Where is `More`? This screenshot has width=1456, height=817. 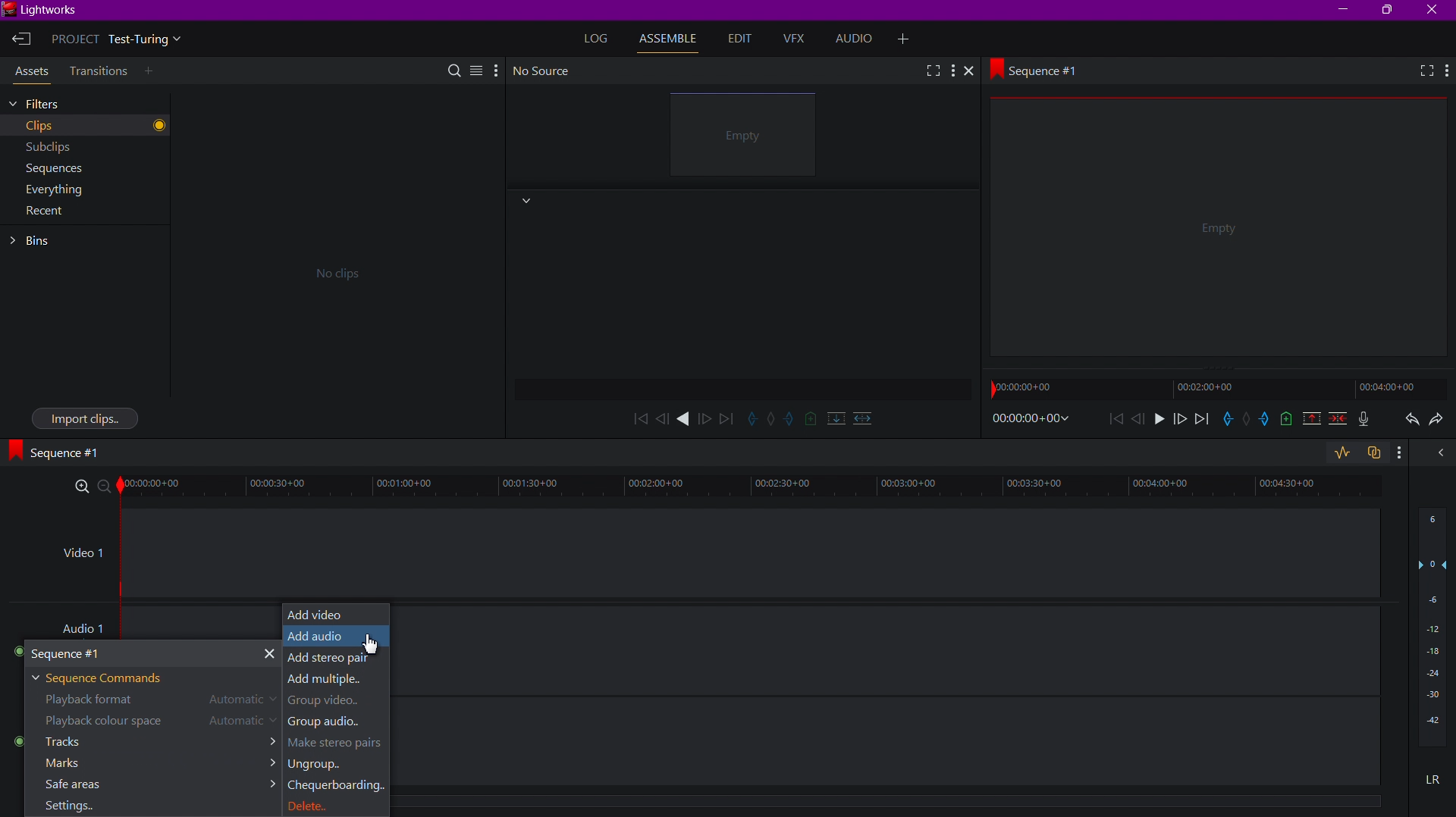
More is located at coordinates (495, 69).